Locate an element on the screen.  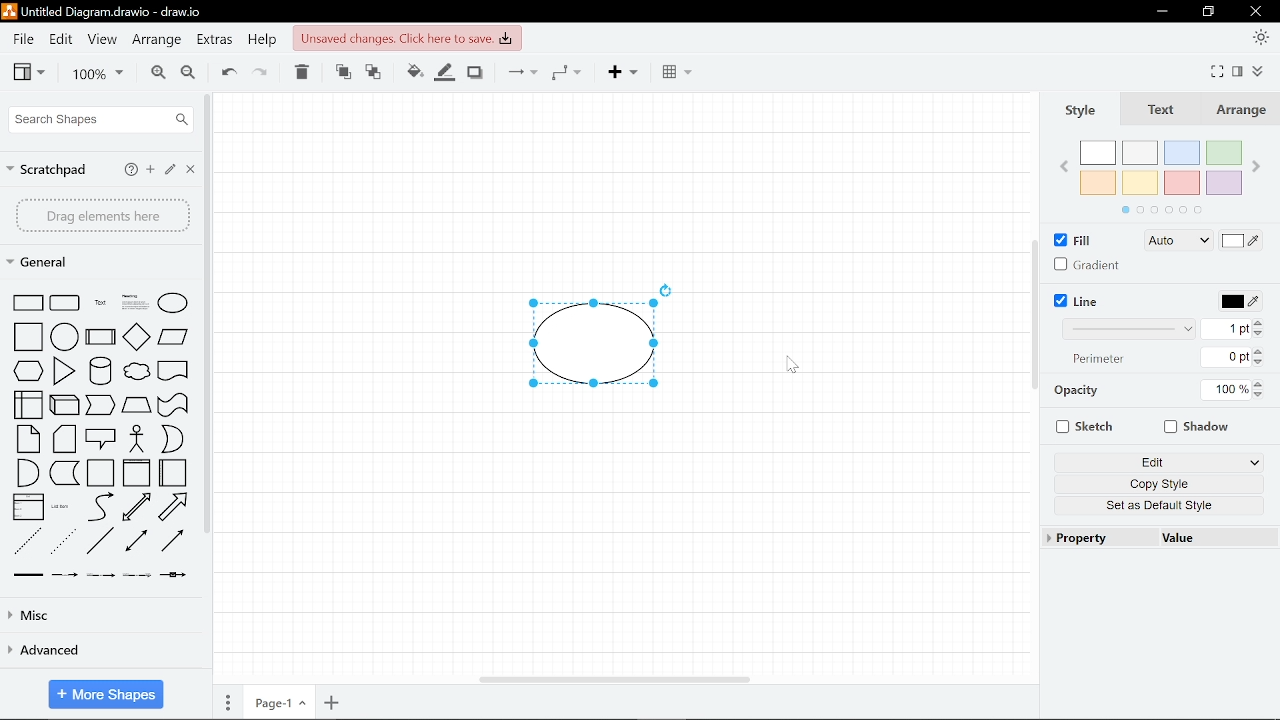
card is located at coordinates (64, 439).